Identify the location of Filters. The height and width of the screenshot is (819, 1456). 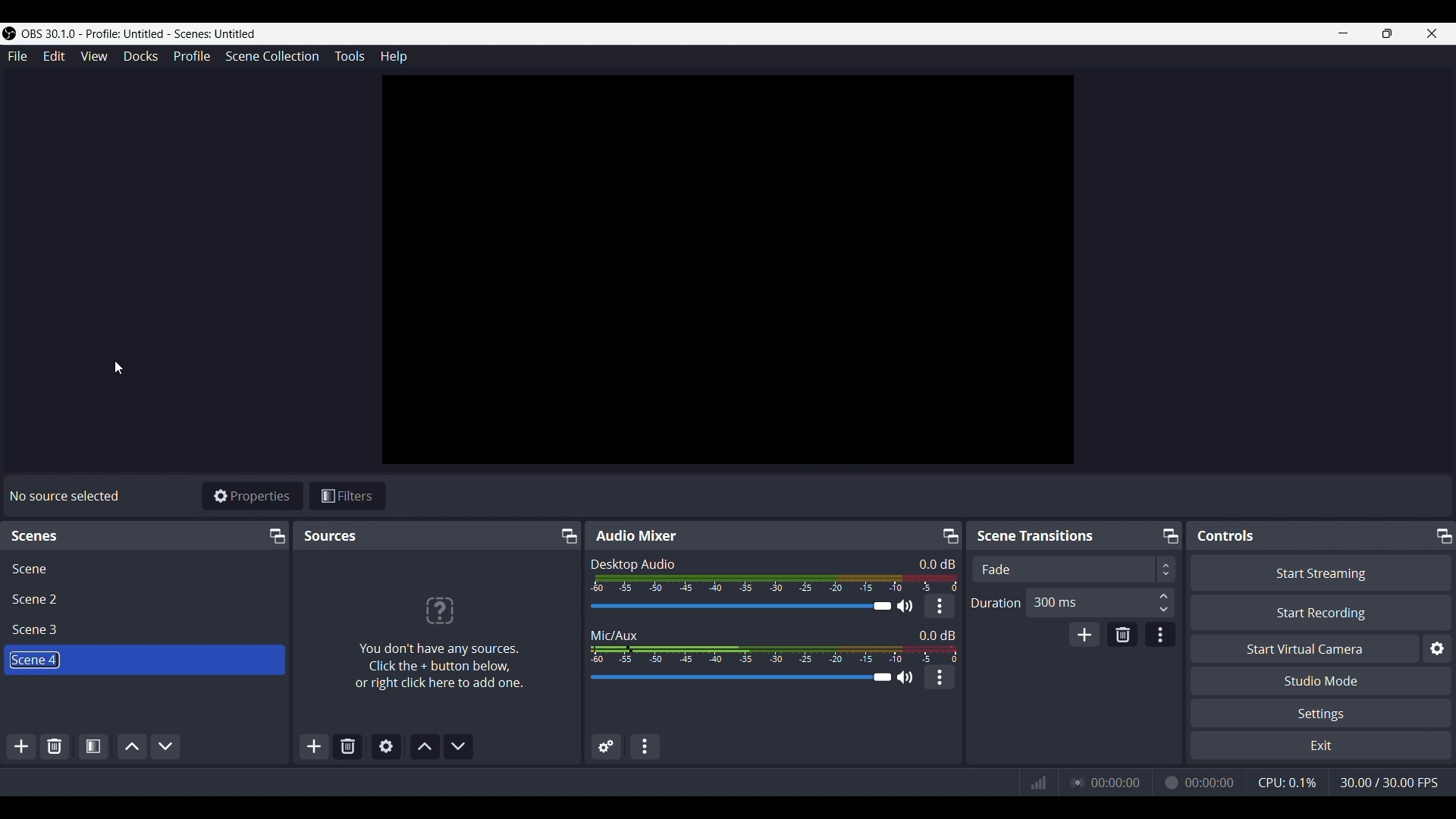
(348, 495).